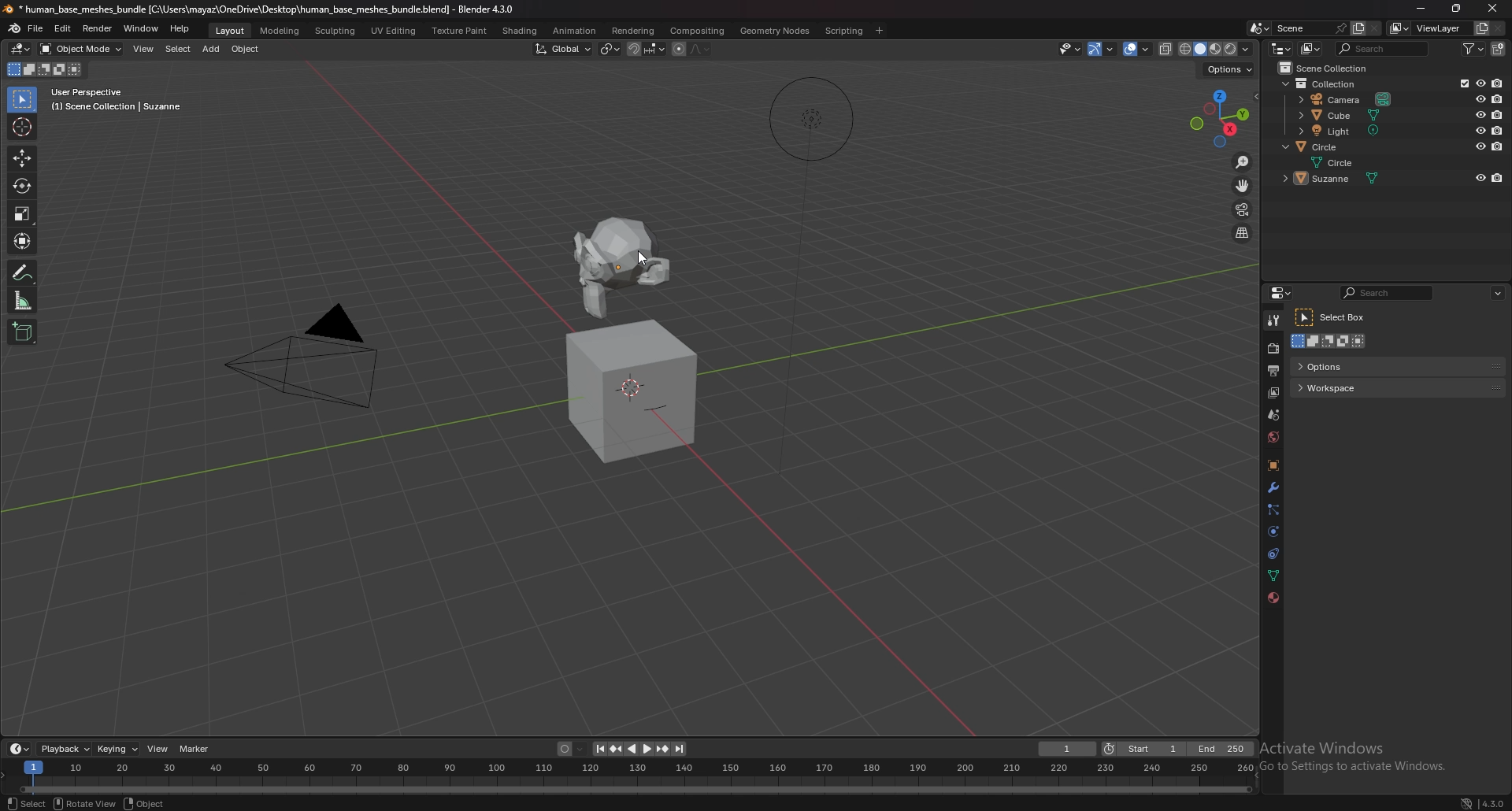  I want to click on hide in viewport, so click(1479, 99).